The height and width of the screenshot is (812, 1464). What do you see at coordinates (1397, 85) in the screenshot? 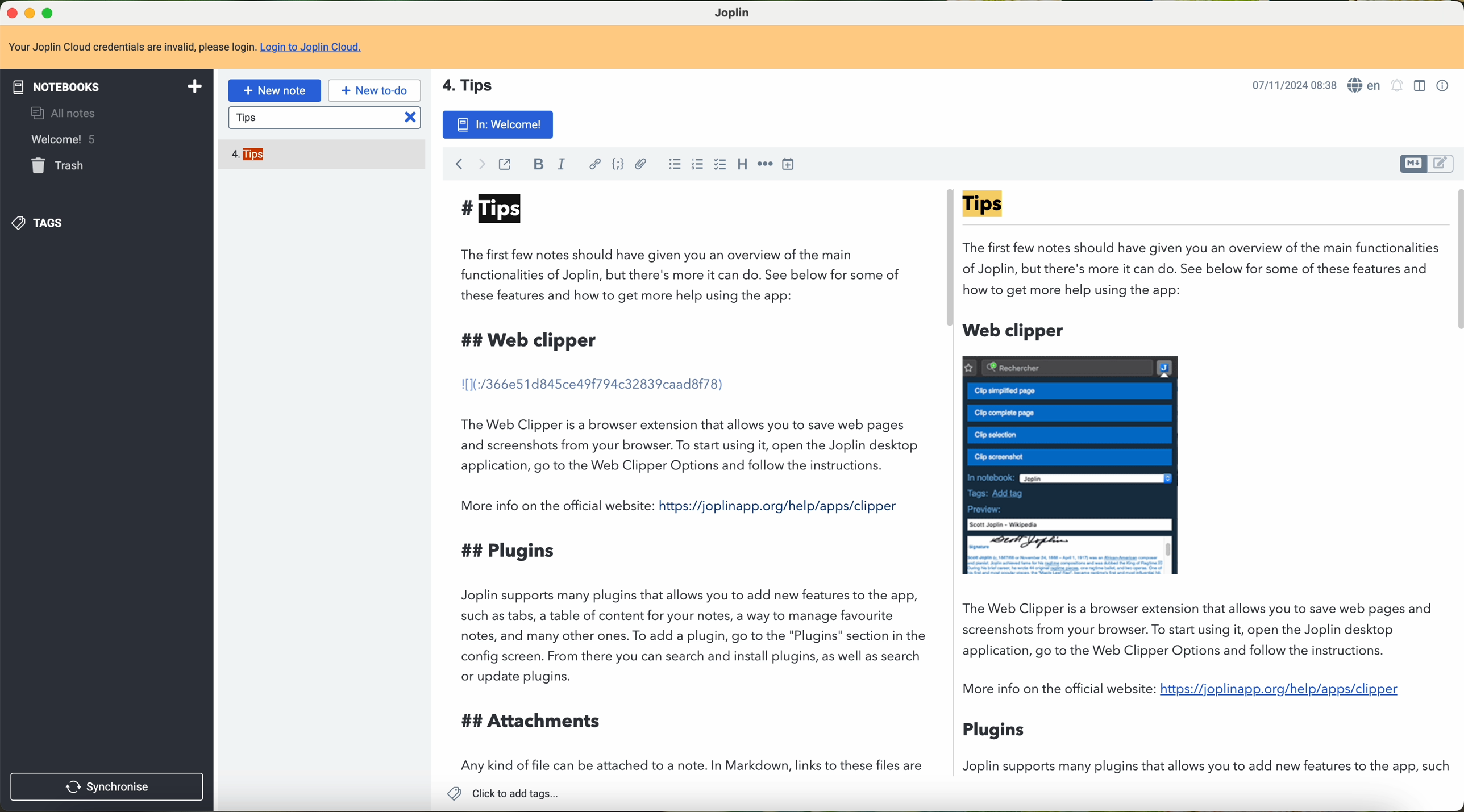
I see `set alarm` at bounding box center [1397, 85].